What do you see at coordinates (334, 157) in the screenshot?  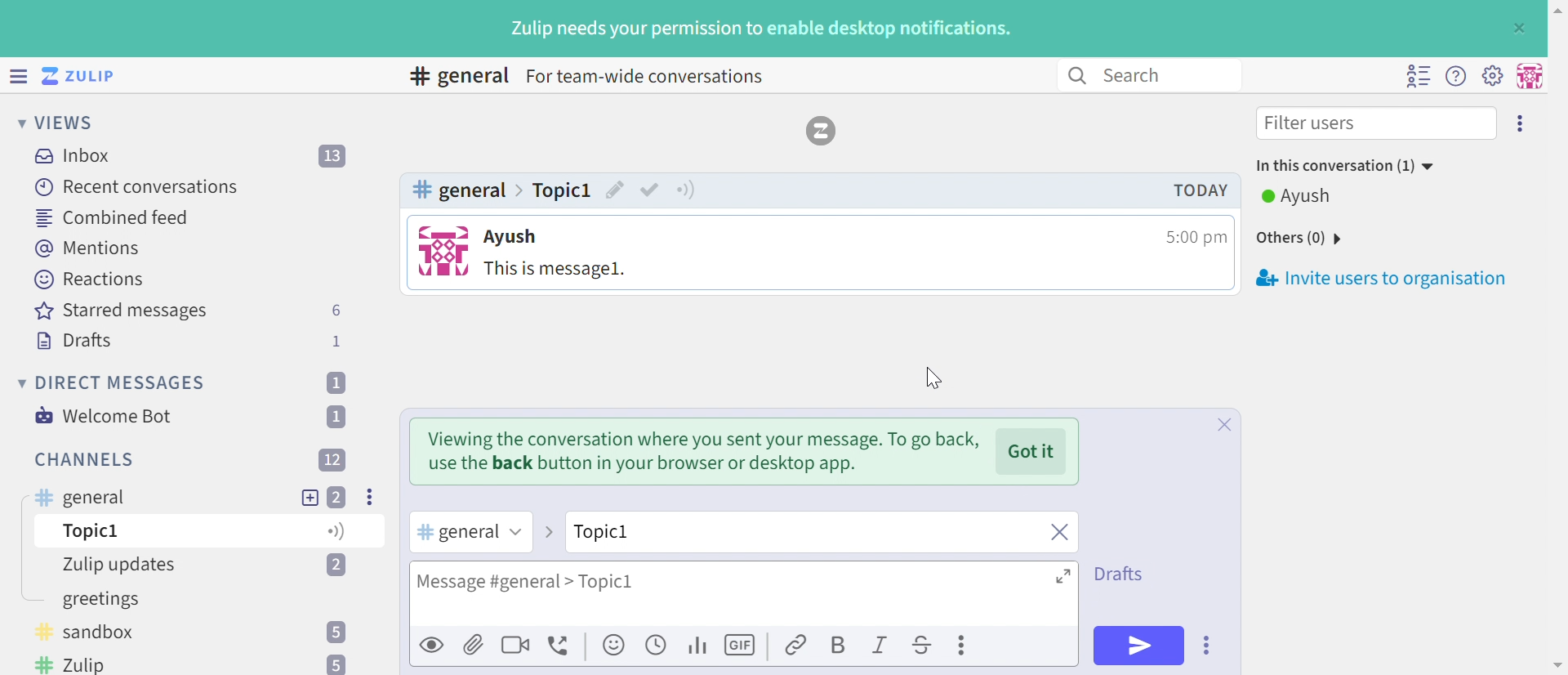 I see `13` at bounding box center [334, 157].